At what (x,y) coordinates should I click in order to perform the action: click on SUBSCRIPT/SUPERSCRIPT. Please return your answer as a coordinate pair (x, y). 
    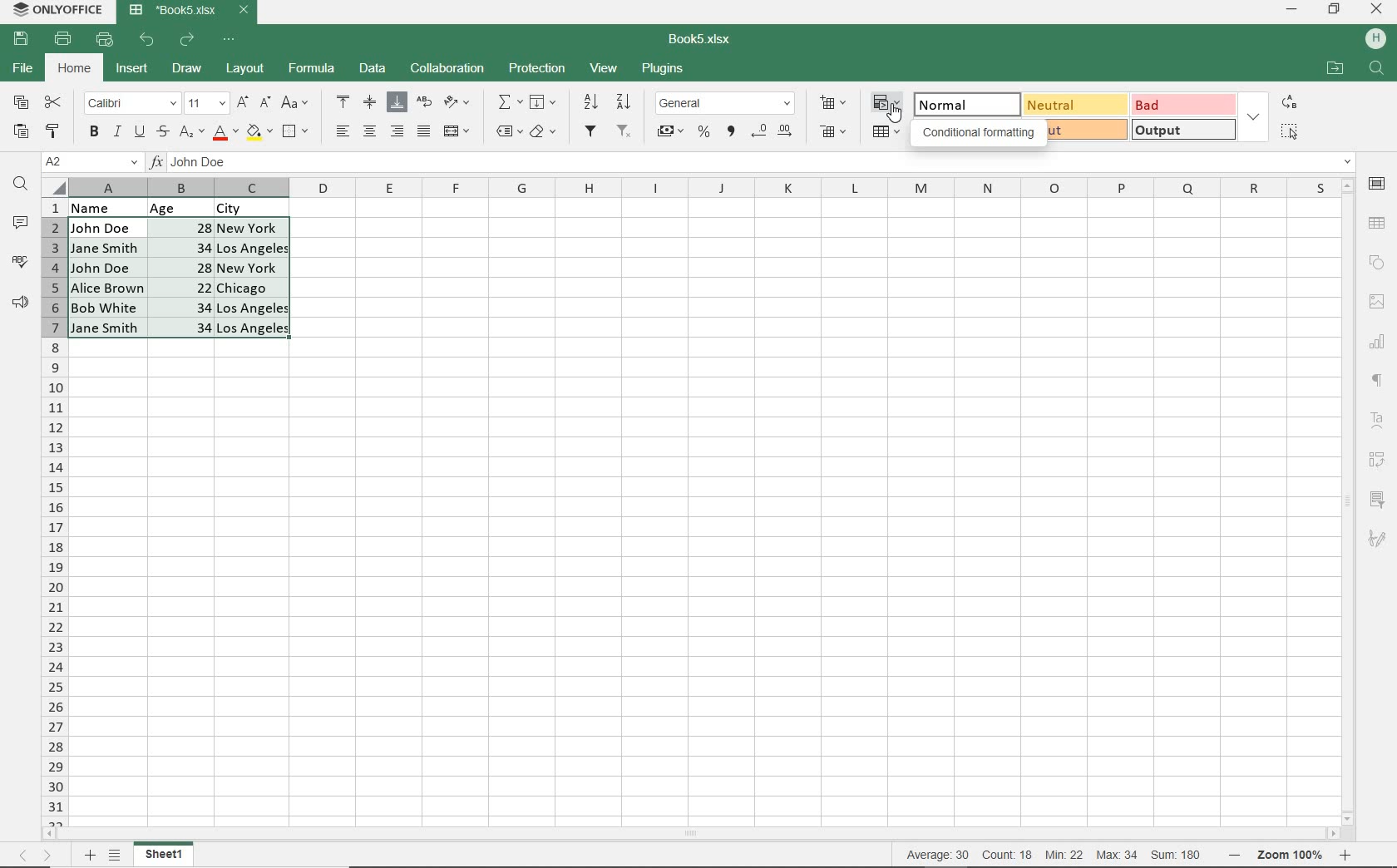
    Looking at the image, I should click on (190, 131).